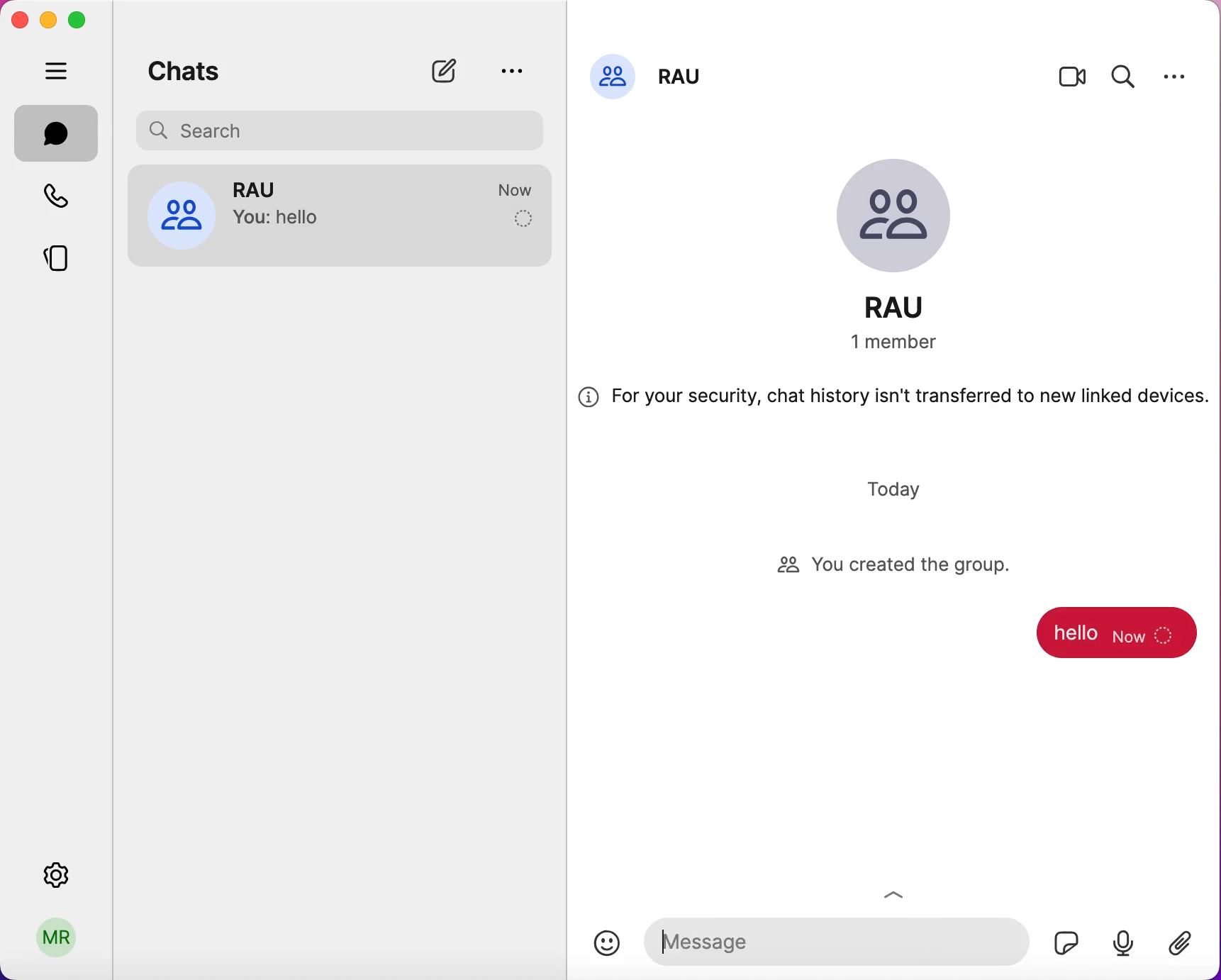 Image resolution: width=1221 pixels, height=980 pixels. I want to click on user, so click(57, 942).